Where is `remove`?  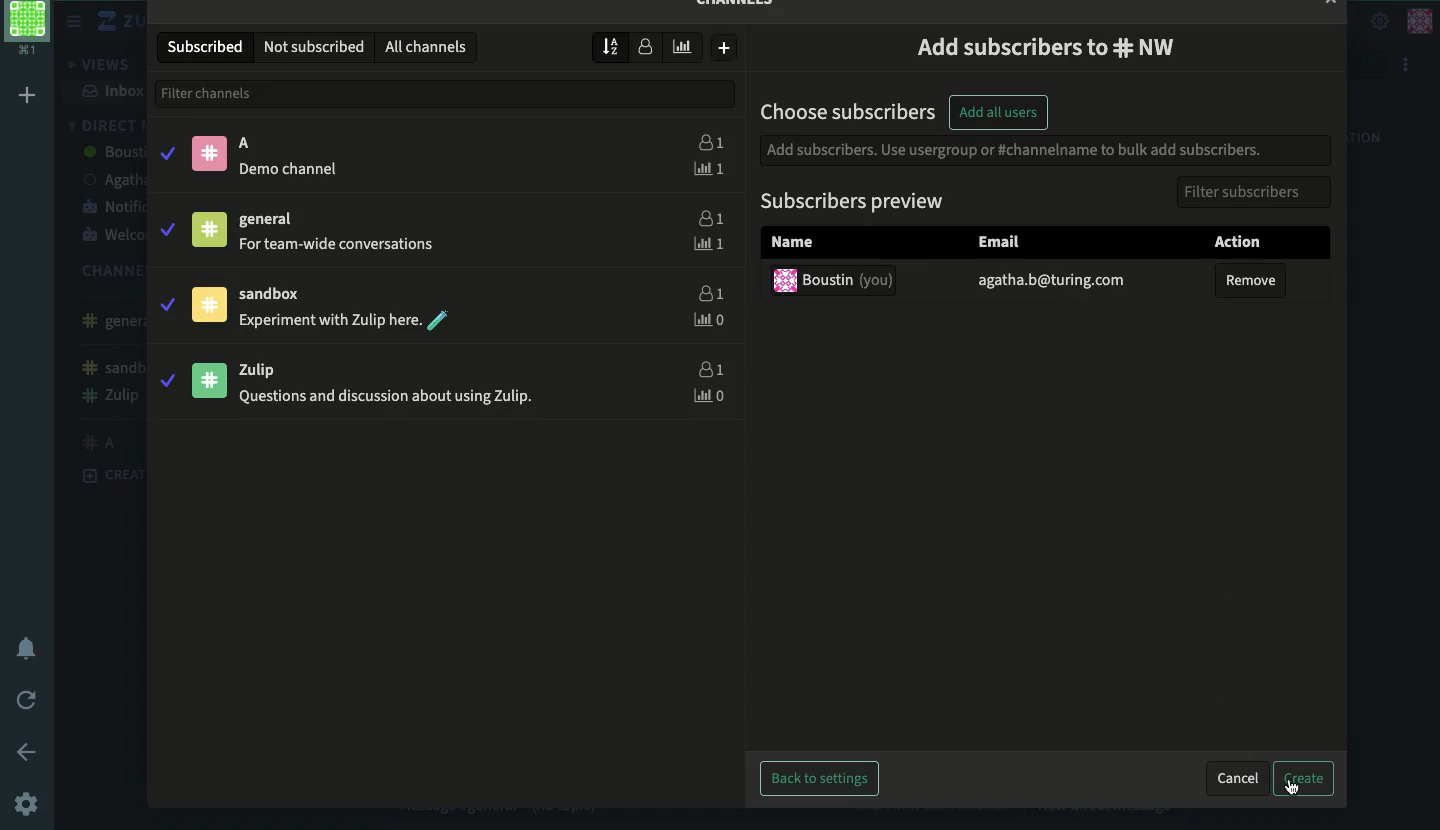
remove is located at coordinates (1252, 285).